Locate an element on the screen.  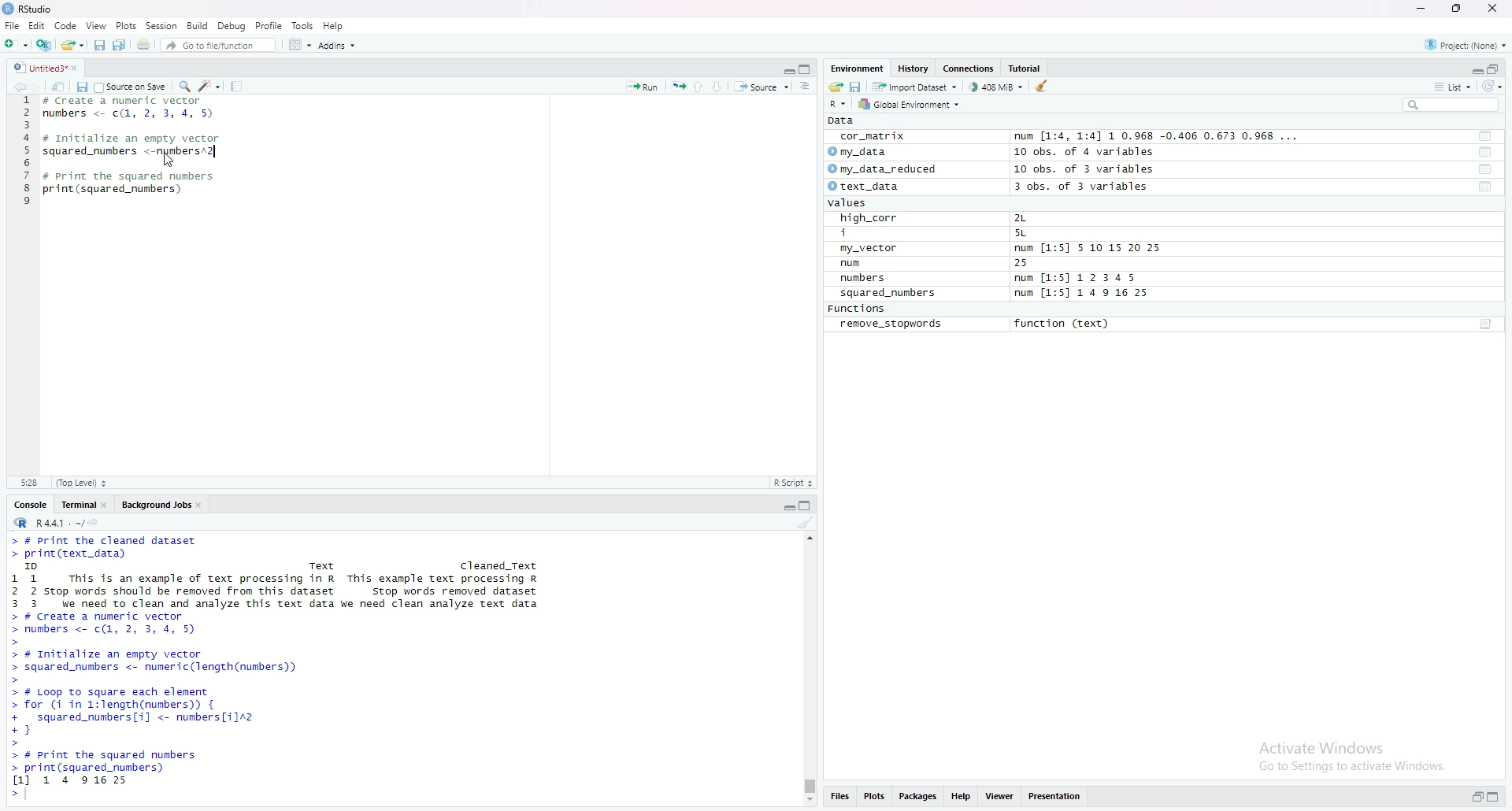
numbers is located at coordinates (866, 279).